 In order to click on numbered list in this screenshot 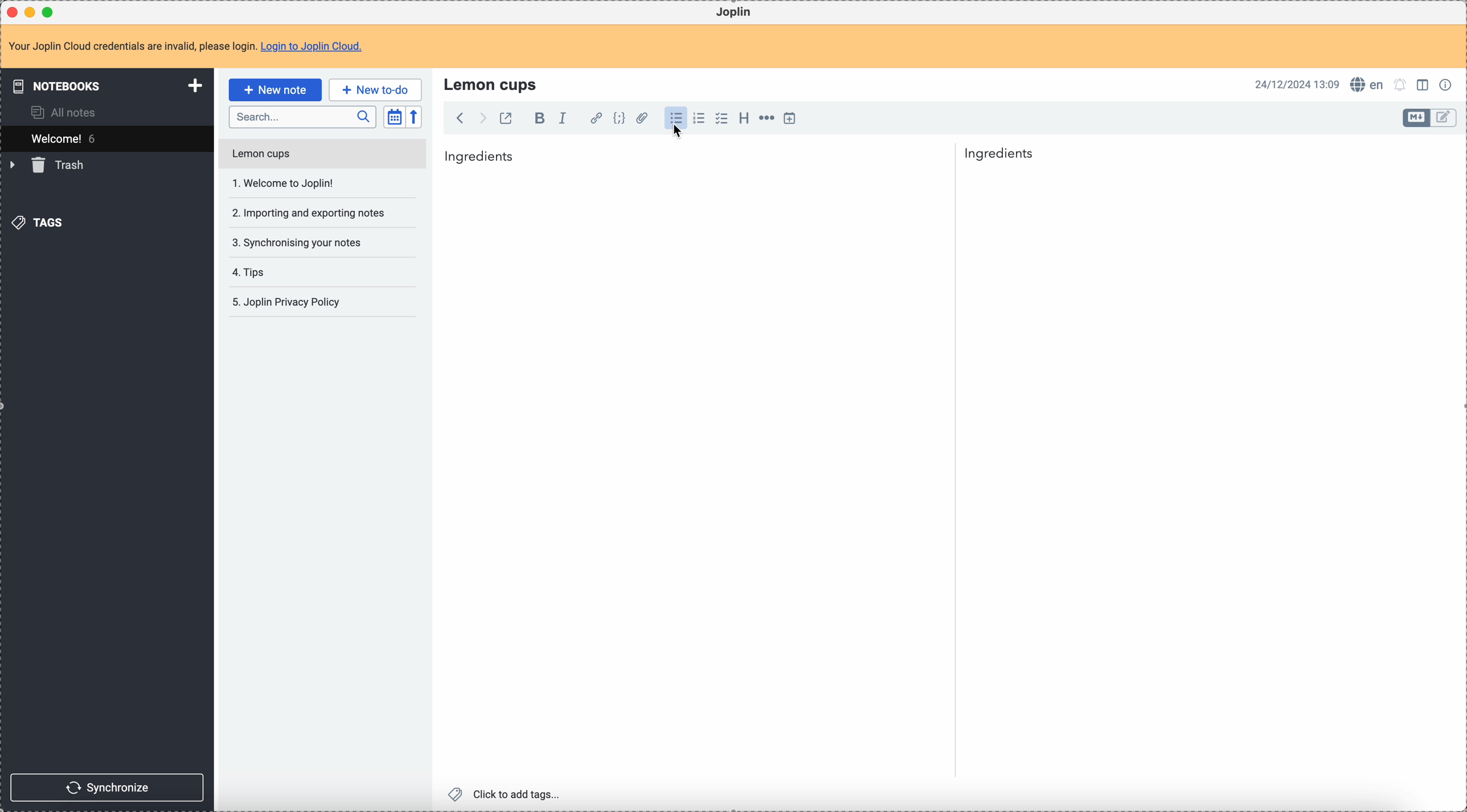, I will do `click(700, 118)`.